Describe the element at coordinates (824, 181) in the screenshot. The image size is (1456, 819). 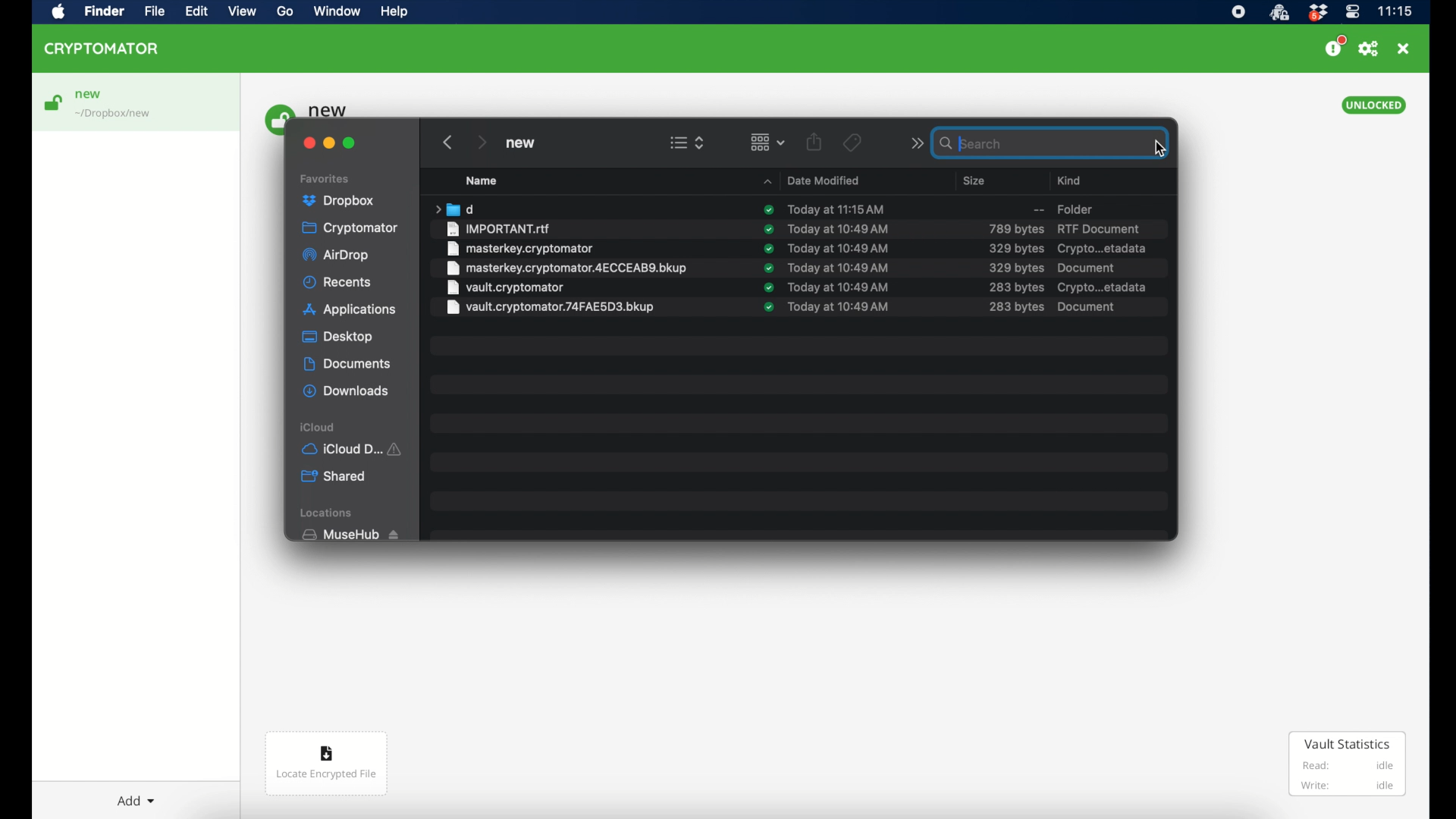
I see `date modified` at that location.